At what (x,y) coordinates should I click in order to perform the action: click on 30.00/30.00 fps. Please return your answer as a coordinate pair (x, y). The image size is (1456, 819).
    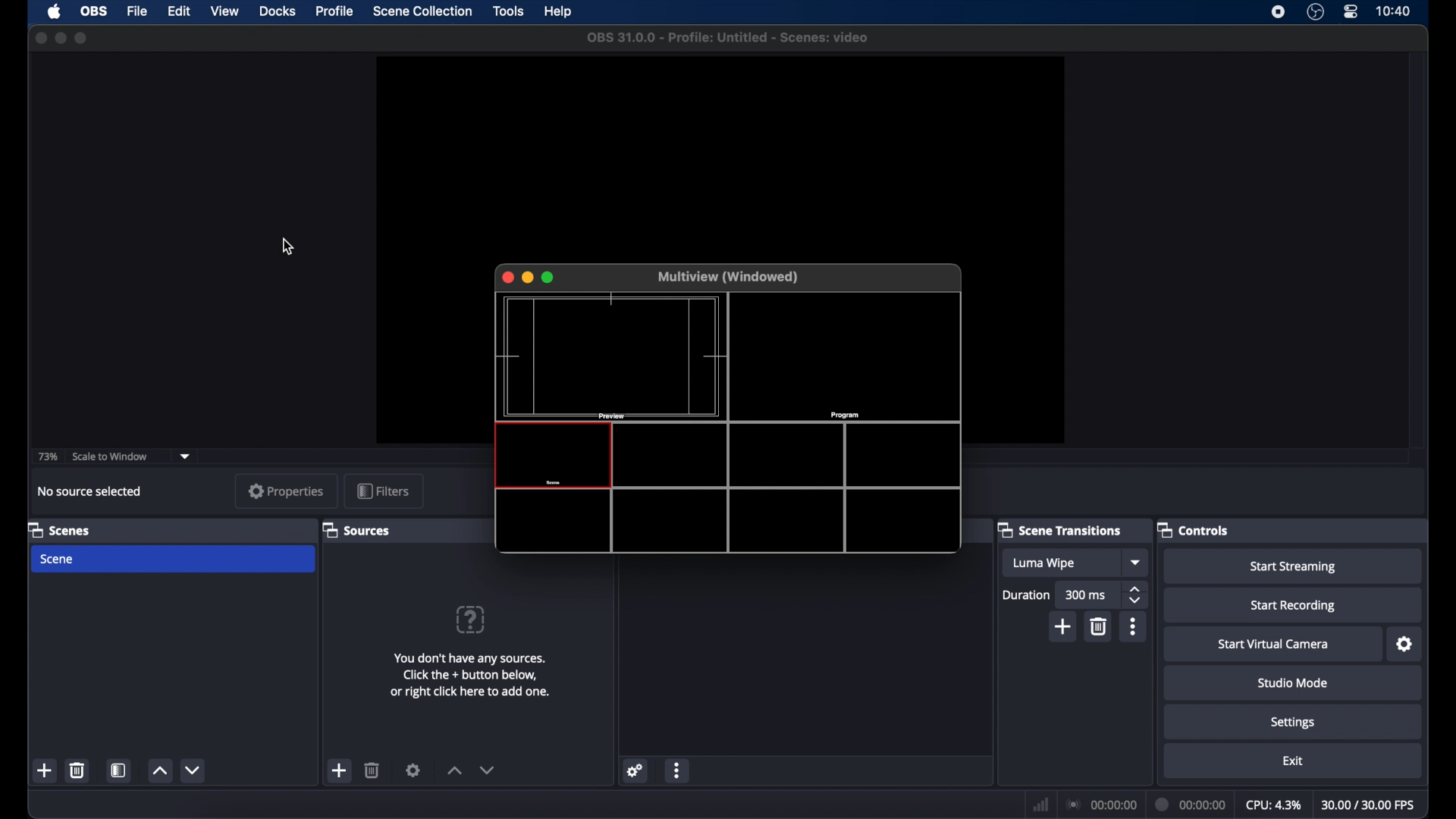
    Looking at the image, I should click on (1369, 803).